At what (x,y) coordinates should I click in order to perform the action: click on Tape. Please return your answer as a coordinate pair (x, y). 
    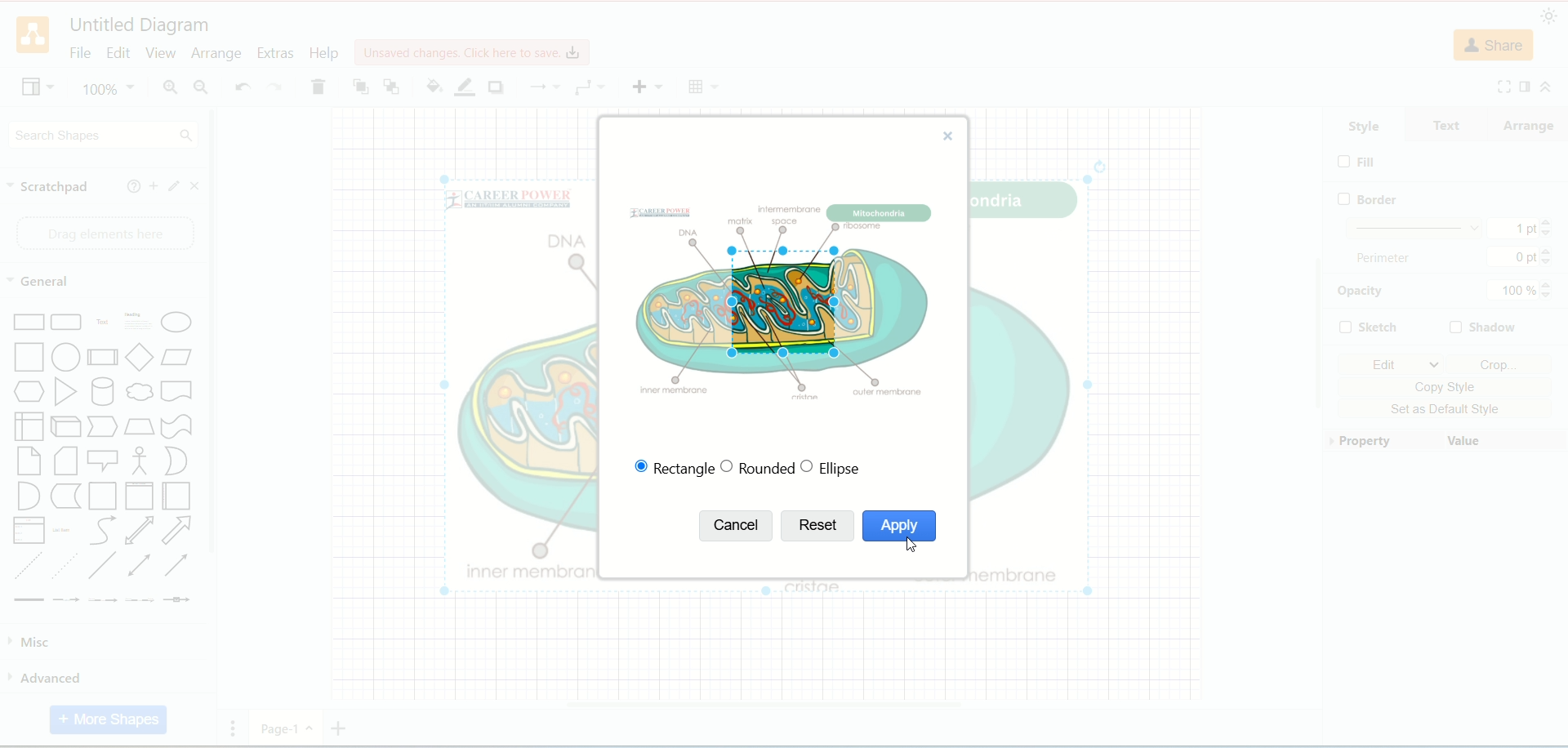
    Looking at the image, I should click on (176, 428).